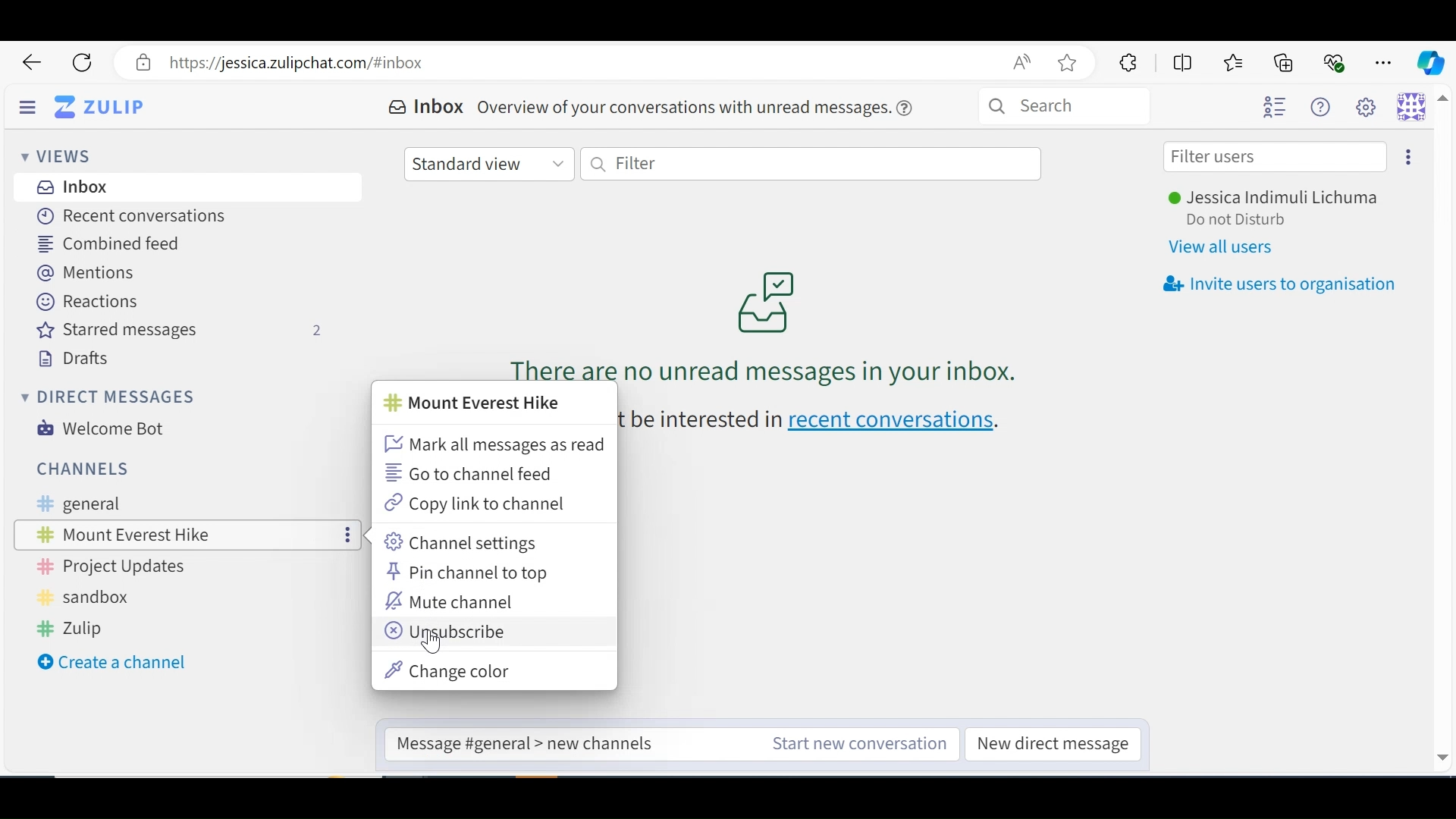  Describe the element at coordinates (1335, 61) in the screenshot. I see `Browser essentials` at that location.